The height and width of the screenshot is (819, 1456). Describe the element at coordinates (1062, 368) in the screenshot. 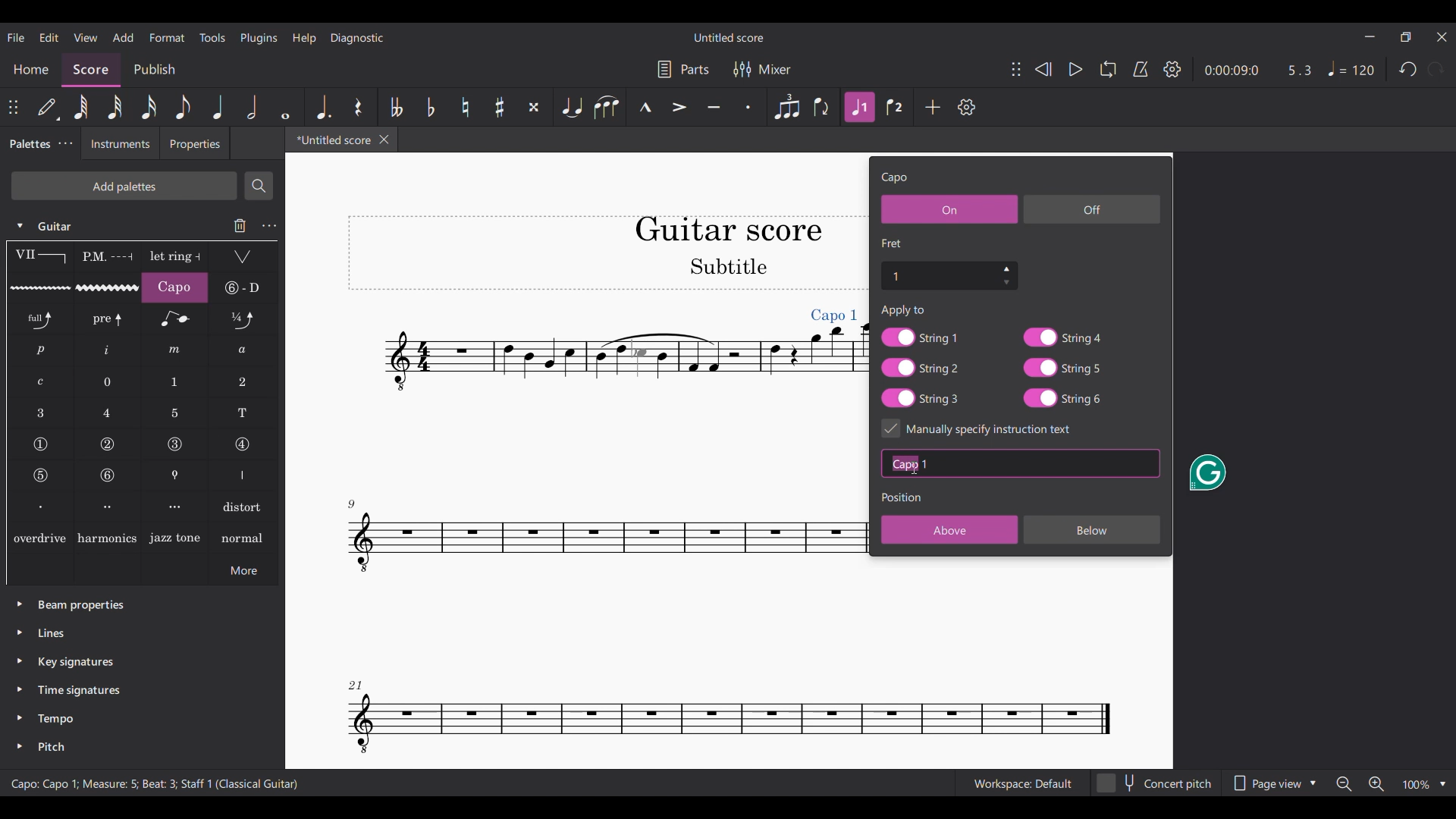

I see `String 5 toggle` at that location.